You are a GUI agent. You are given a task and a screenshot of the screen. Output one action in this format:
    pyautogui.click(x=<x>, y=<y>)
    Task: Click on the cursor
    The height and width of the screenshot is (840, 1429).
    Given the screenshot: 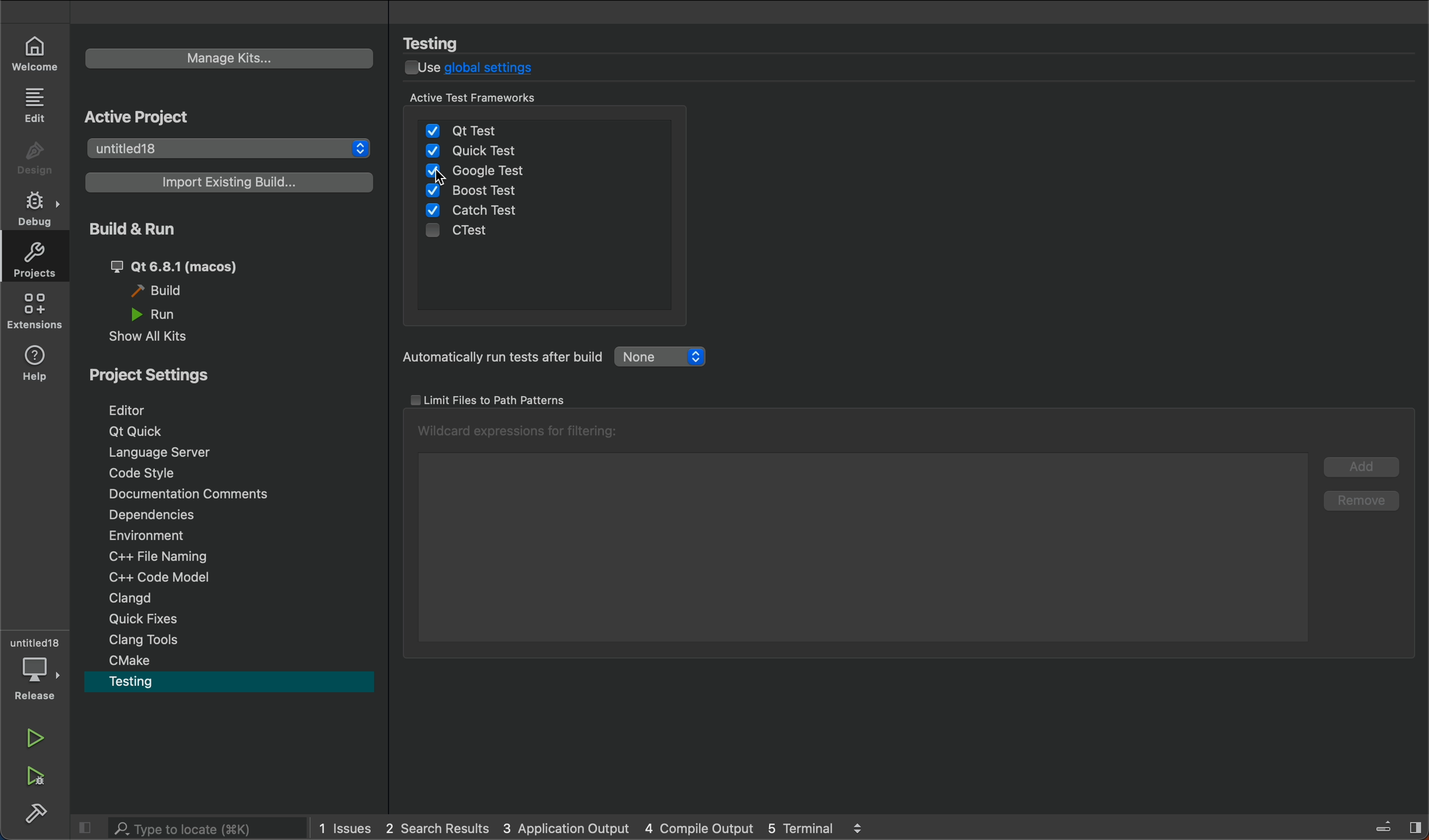 What is the action you would take?
    pyautogui.click(x=447, y=181)
    